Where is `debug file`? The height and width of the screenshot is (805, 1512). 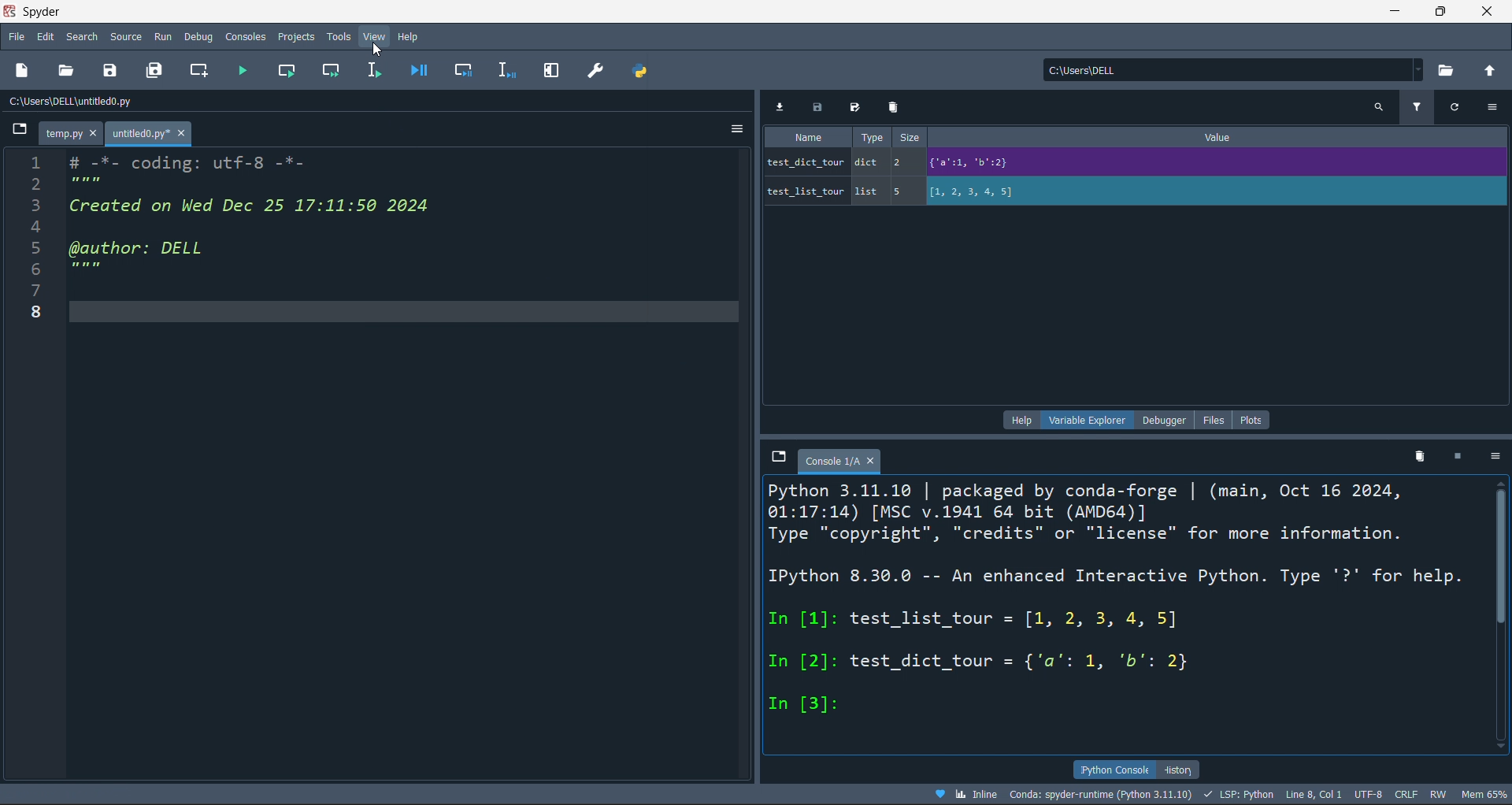 debug file is located at coordinates (419, 70).